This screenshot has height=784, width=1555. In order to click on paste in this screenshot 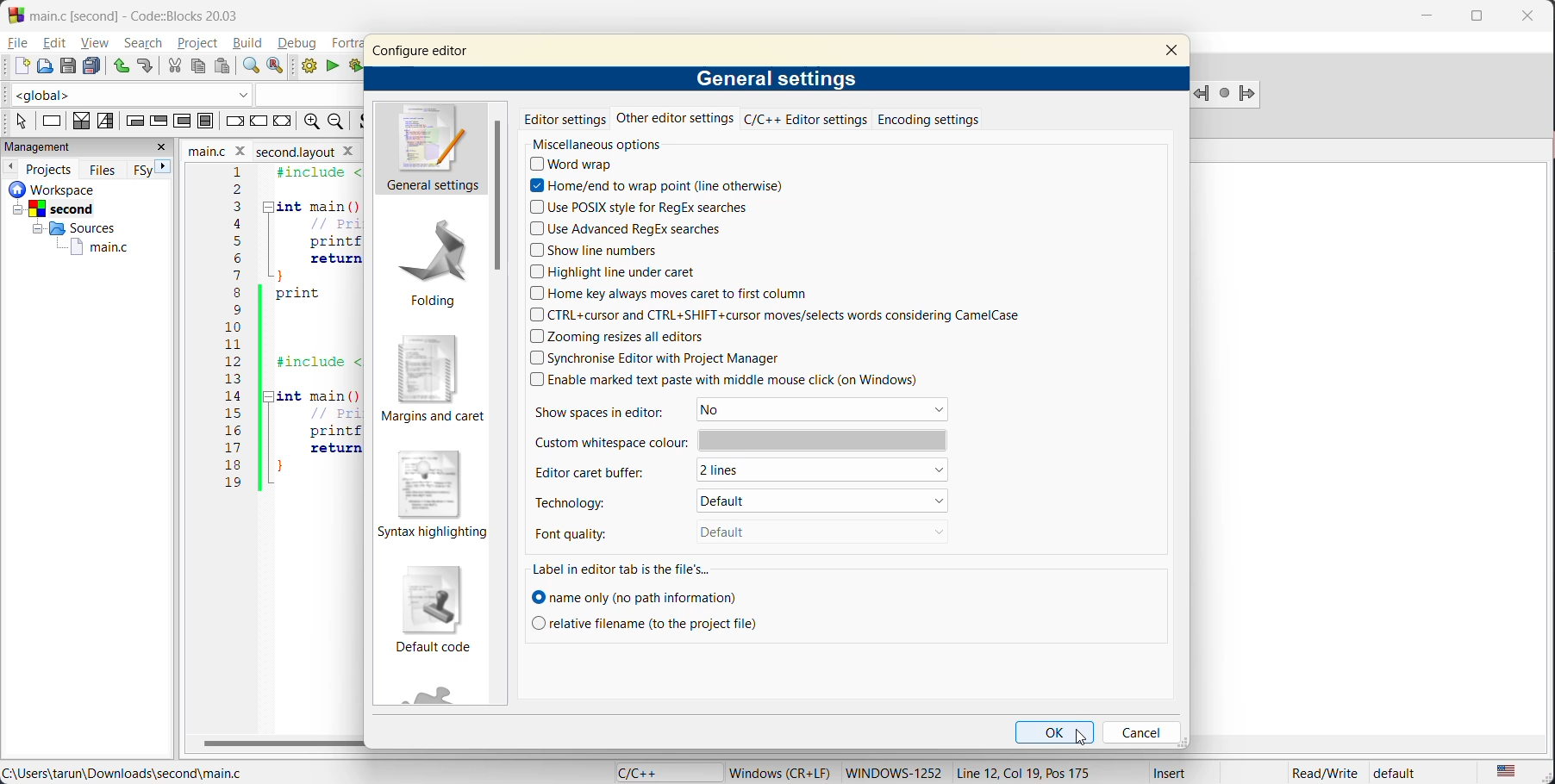, I will do `click(222, 66)`.